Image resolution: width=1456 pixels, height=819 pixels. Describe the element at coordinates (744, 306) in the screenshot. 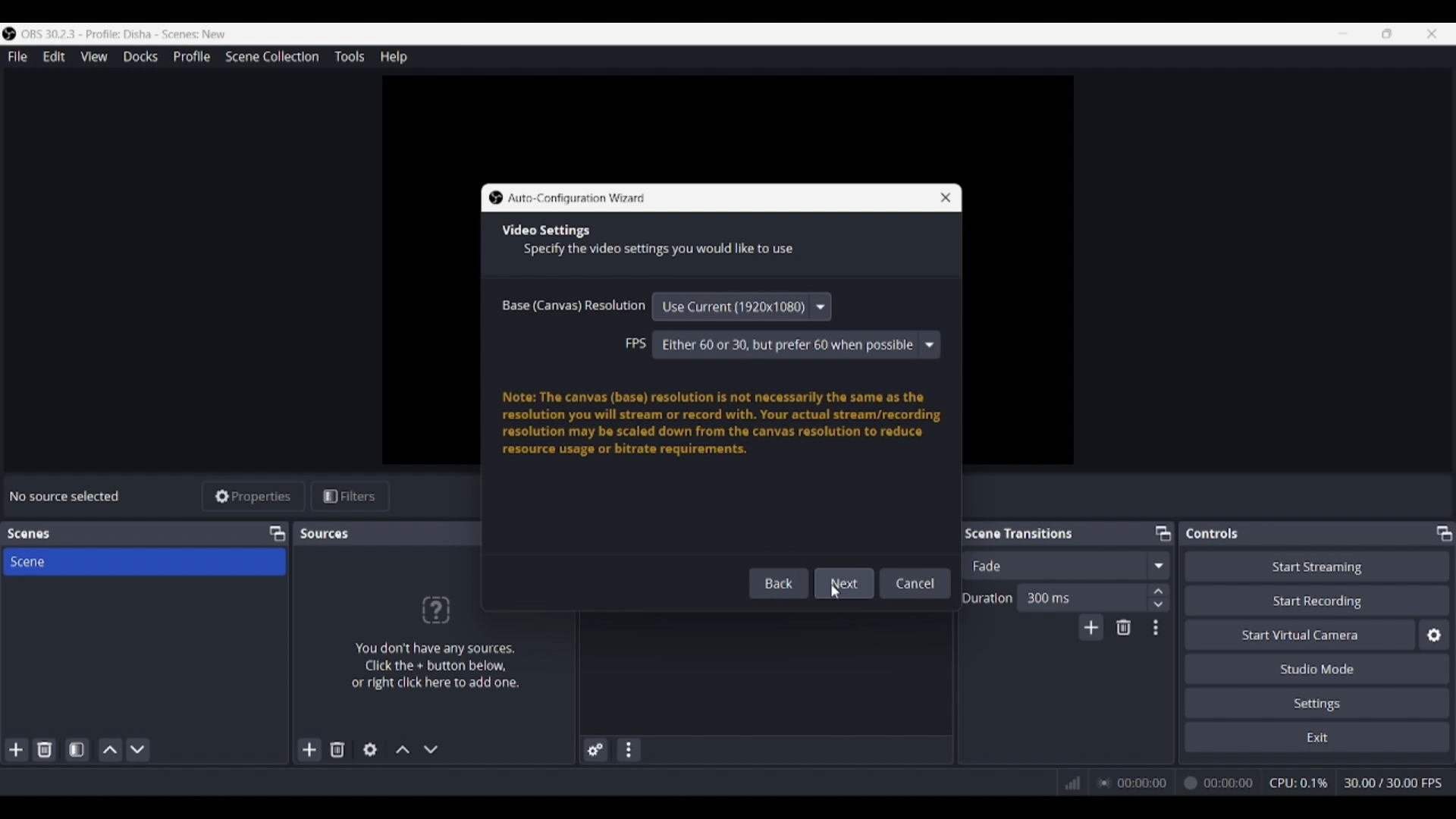

I see `use Current (1920x1080) +` at that location.